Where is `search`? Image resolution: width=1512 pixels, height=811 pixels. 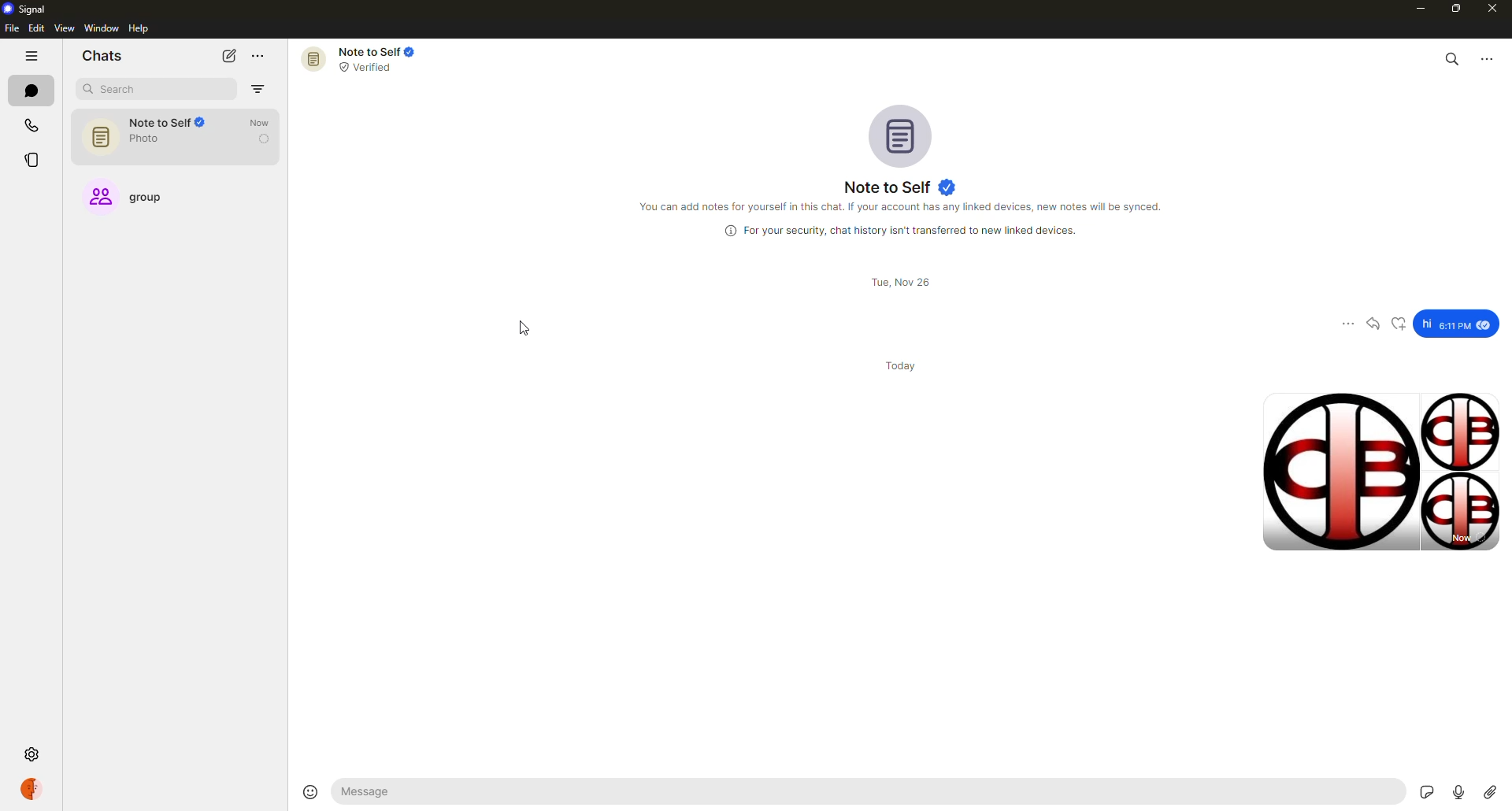 search is located at coordinates (135, 87).